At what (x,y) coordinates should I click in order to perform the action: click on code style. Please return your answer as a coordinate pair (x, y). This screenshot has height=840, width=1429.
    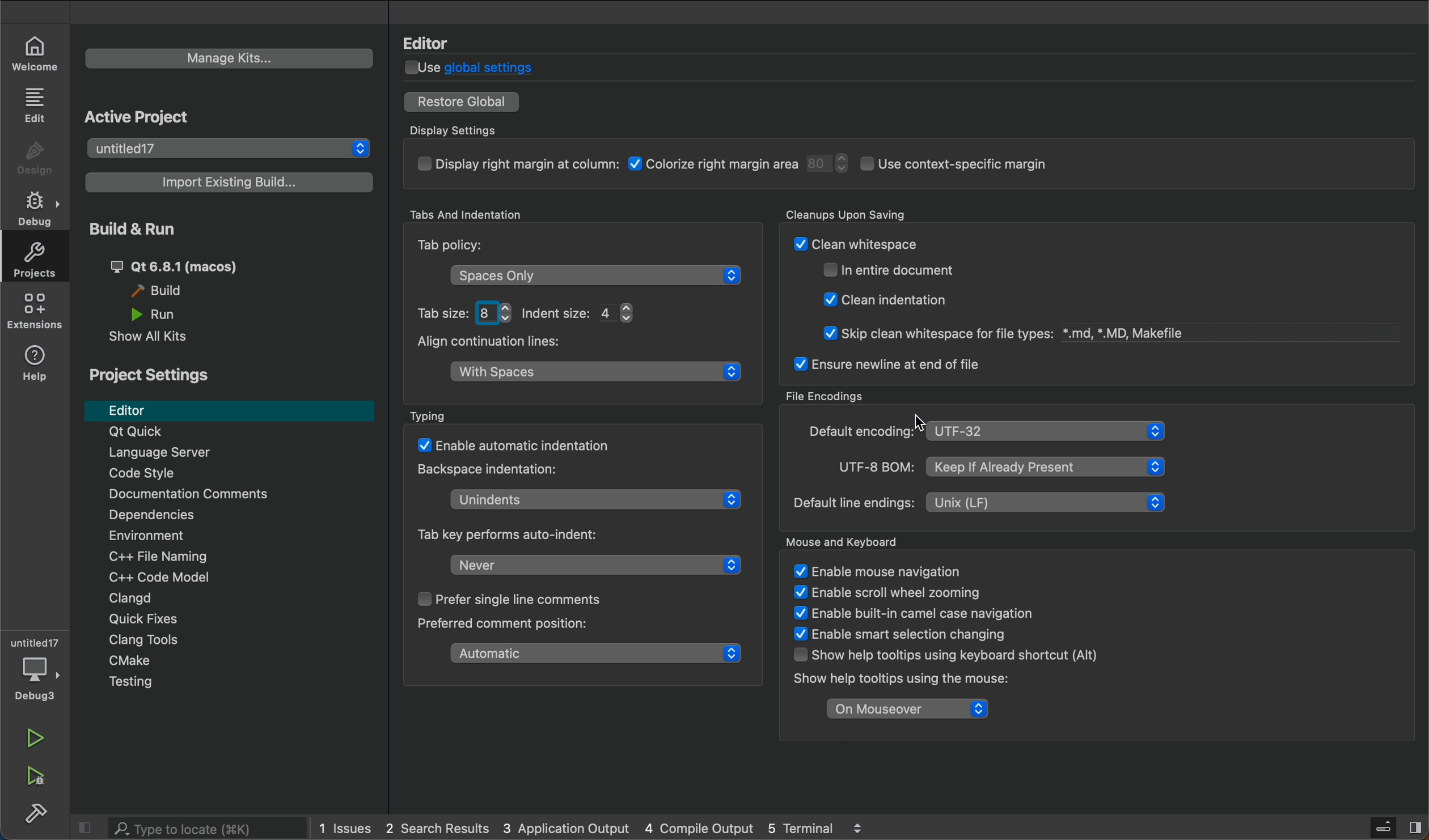
    Looking at the image, I should click on (223, 475).